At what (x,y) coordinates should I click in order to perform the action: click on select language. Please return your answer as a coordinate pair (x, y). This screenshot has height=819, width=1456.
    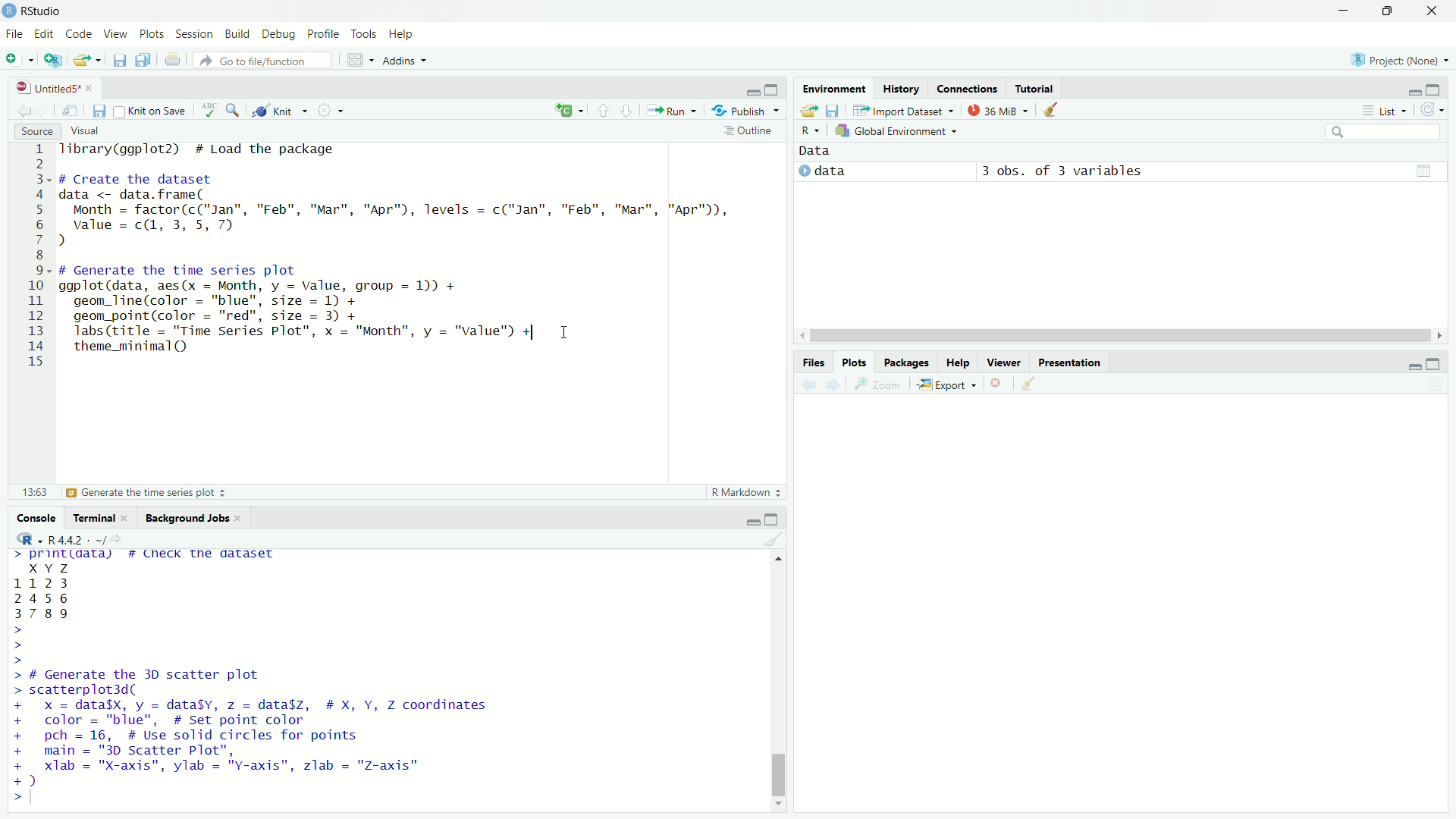
    Looking at the image, I should click on (811, 132).